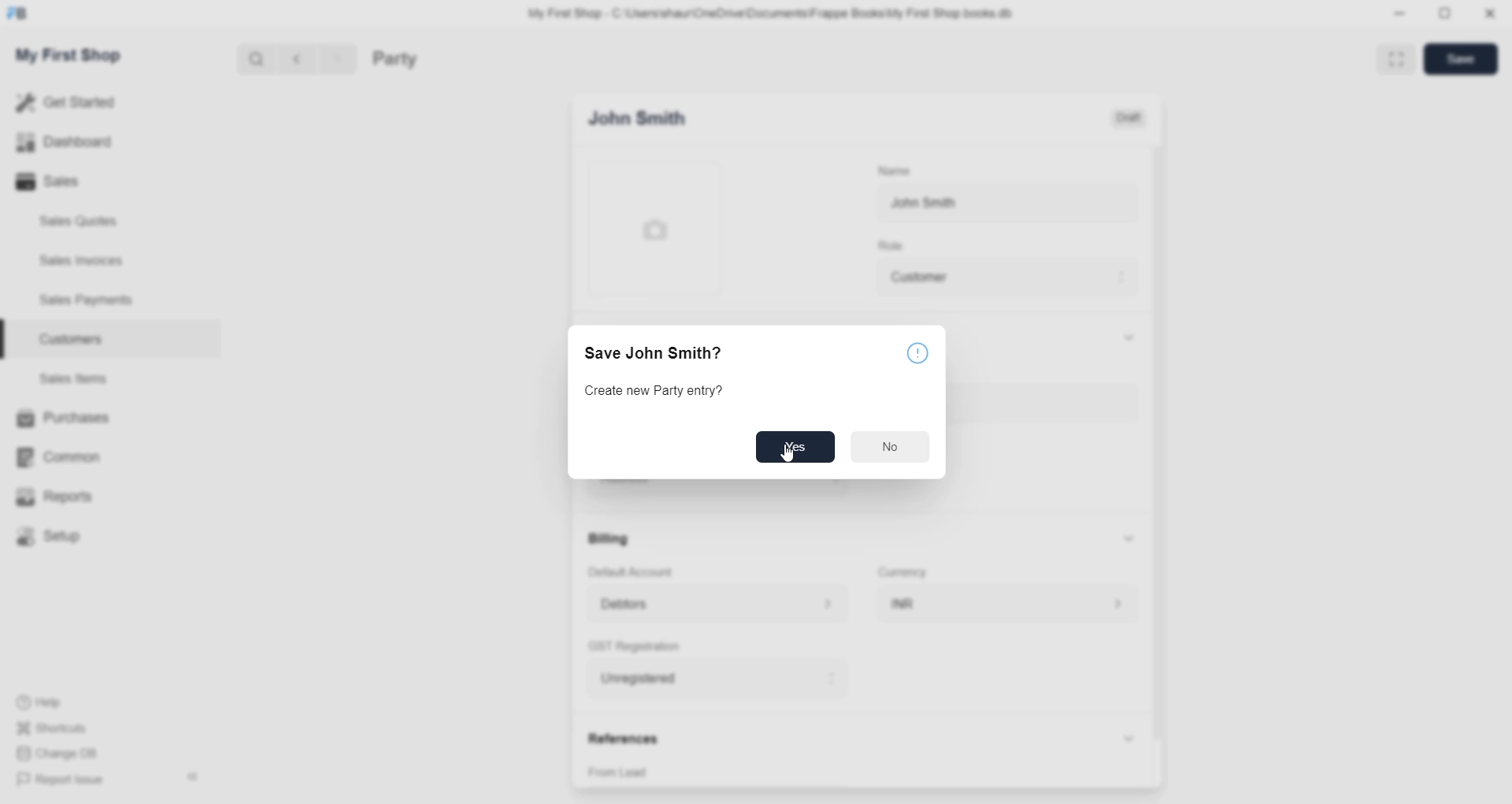  I want to click on cursor, so click(846, 553).